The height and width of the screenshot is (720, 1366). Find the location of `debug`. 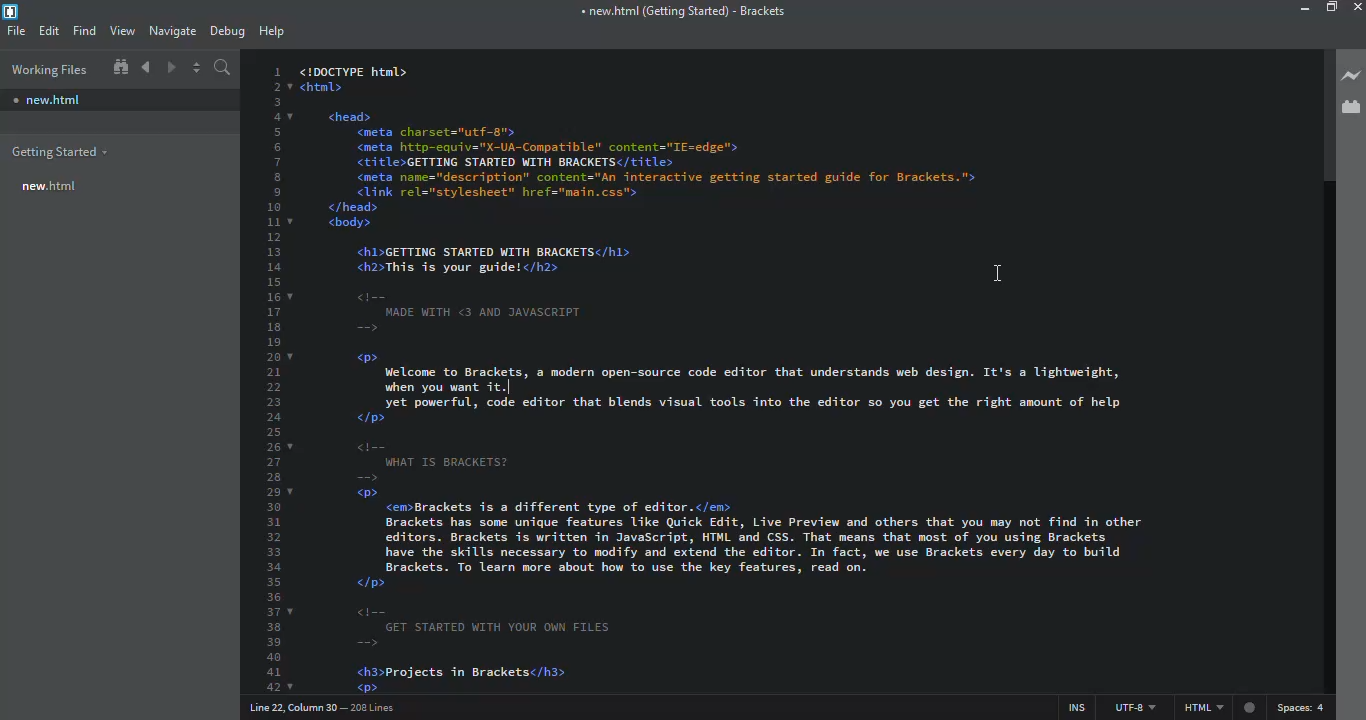

debug is located at coordinates (227, 30).